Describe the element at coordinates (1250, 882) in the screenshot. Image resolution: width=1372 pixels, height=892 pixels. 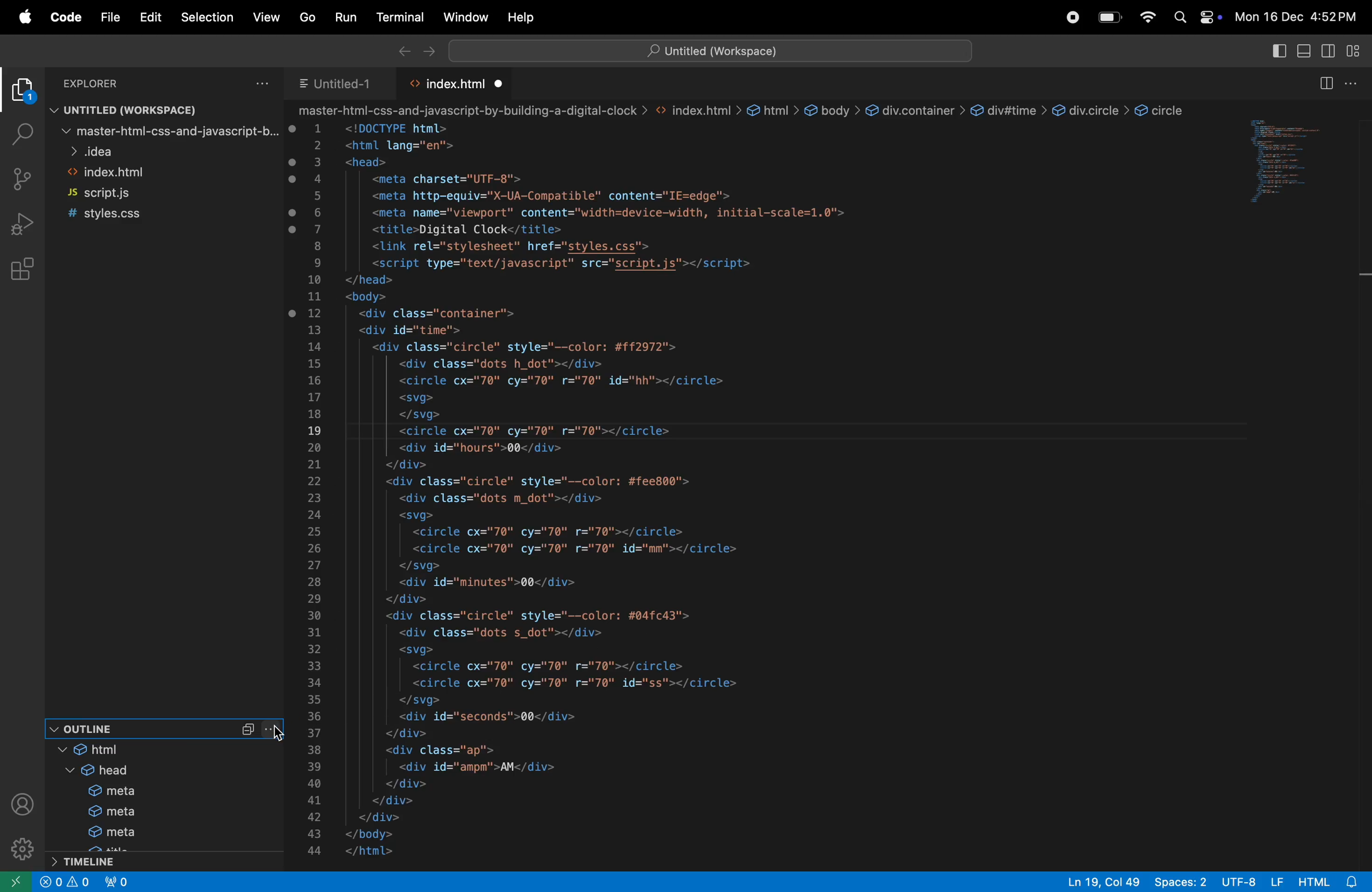
I see `utf 8` at that location.